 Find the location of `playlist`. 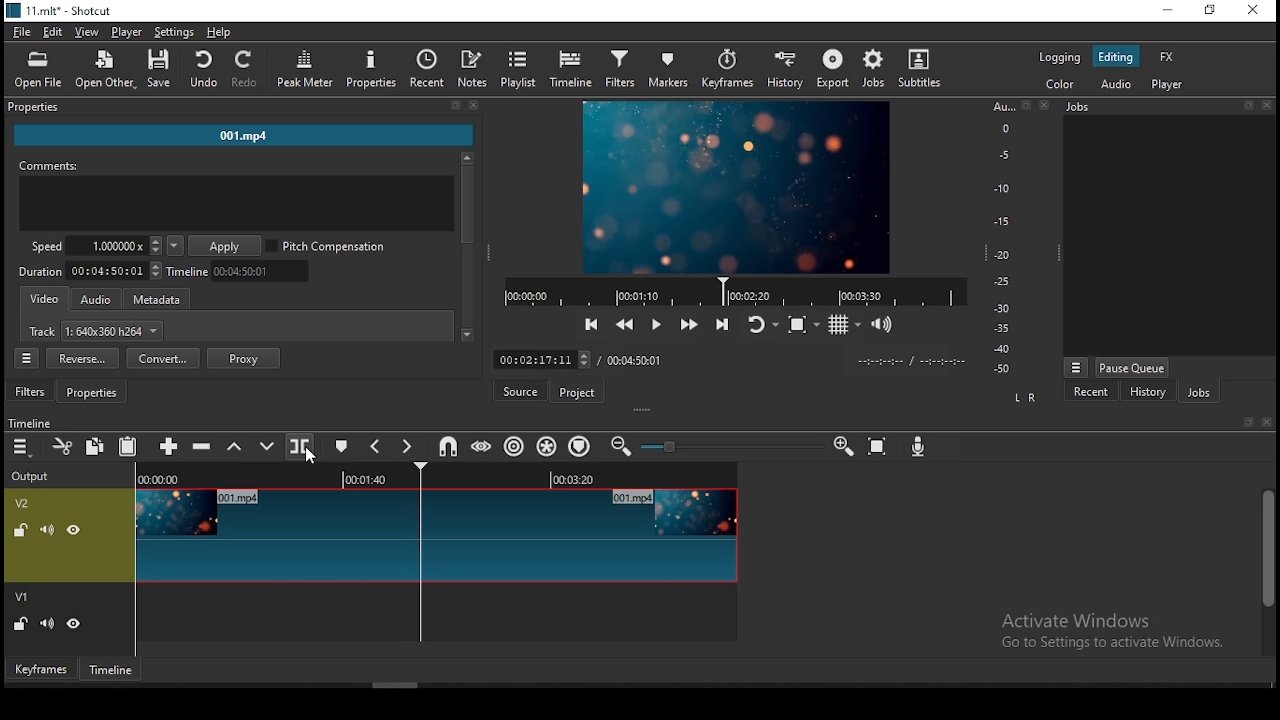

playlist is located at coordinates (519, 69).